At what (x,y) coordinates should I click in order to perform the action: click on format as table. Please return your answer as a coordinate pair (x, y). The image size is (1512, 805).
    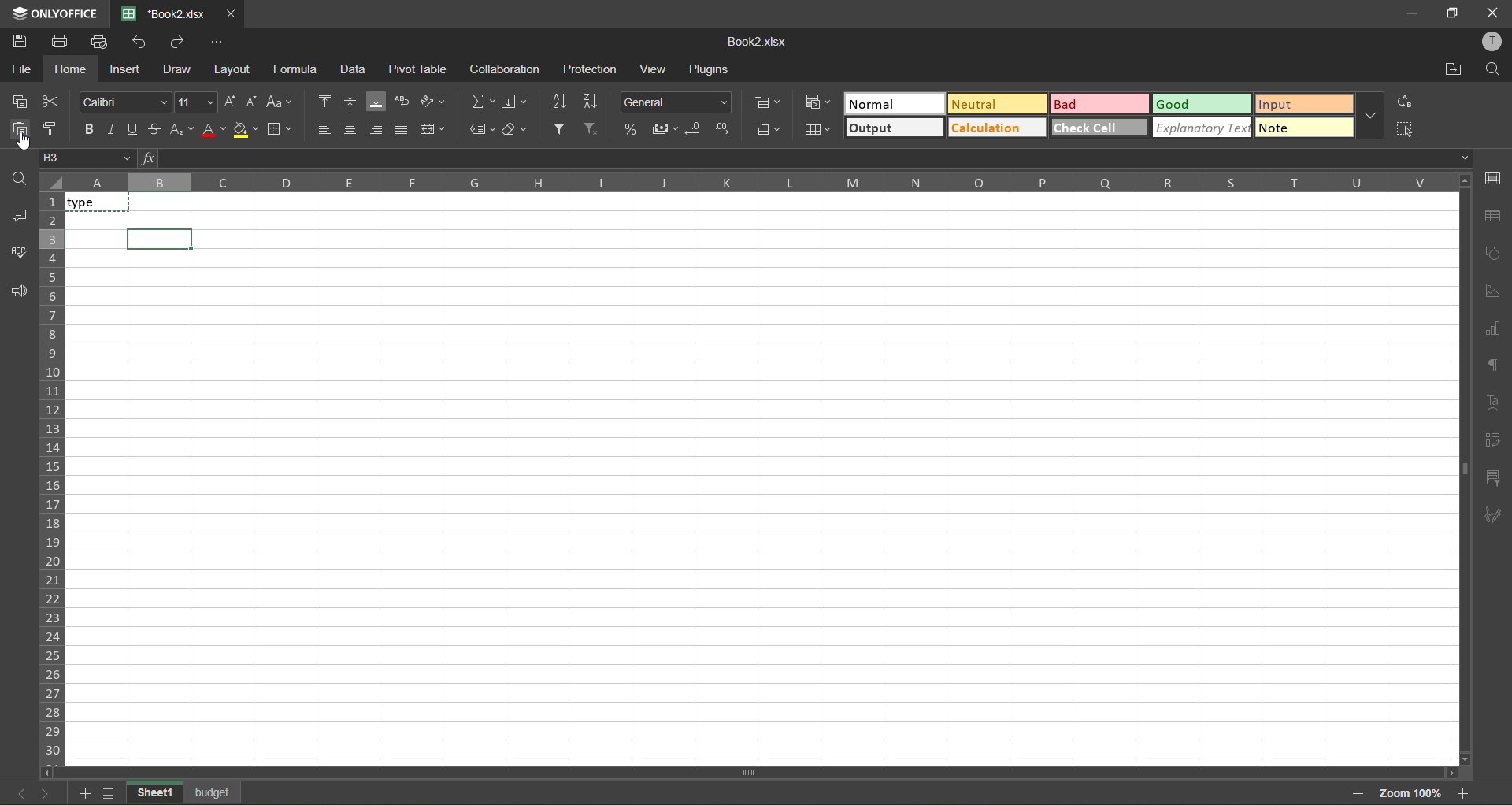
    Looking at the image, I should click on (817, 130).